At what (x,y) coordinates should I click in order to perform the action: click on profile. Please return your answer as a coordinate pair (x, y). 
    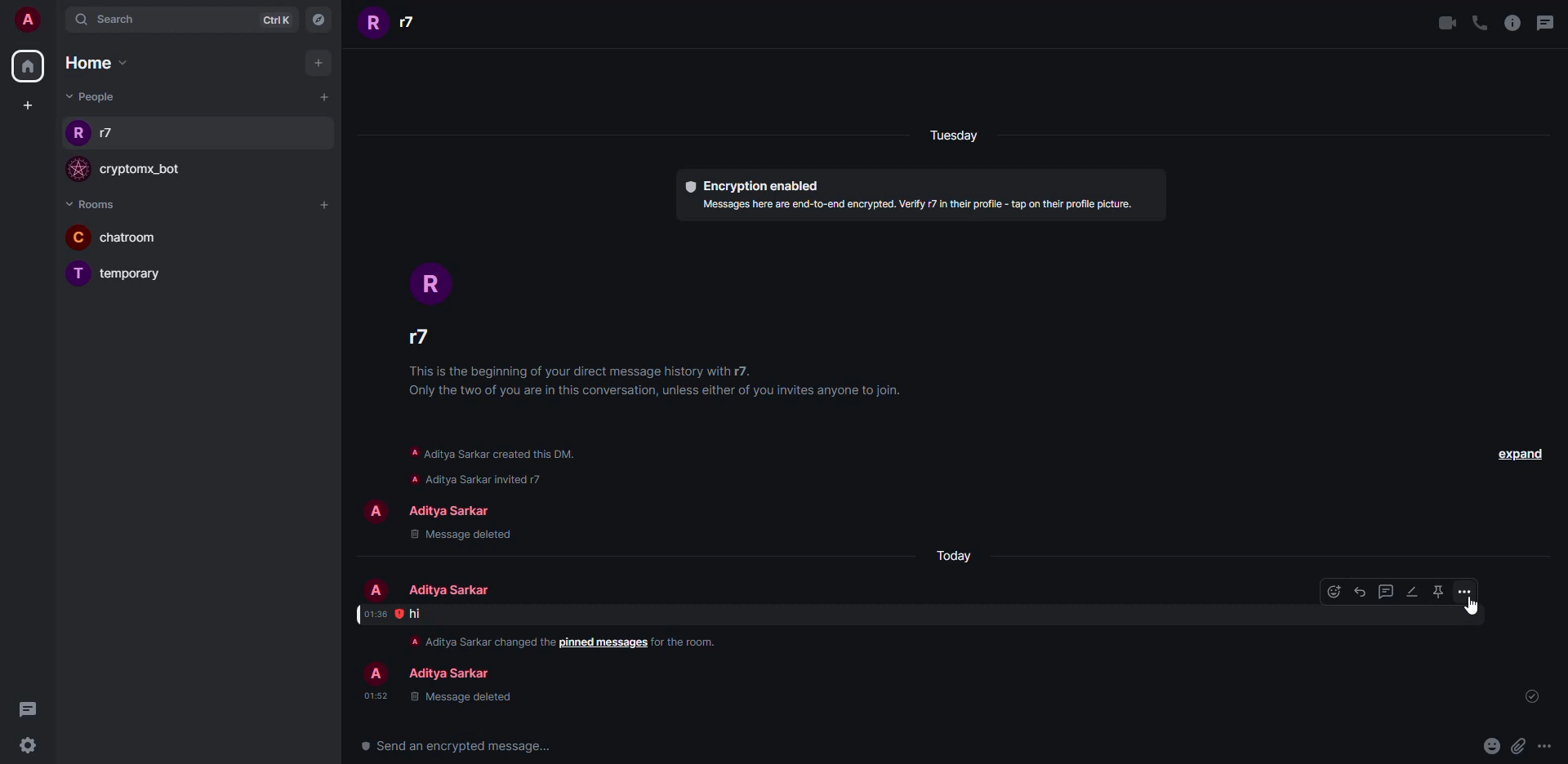
    Looking at the image, I should click on (374, 24).